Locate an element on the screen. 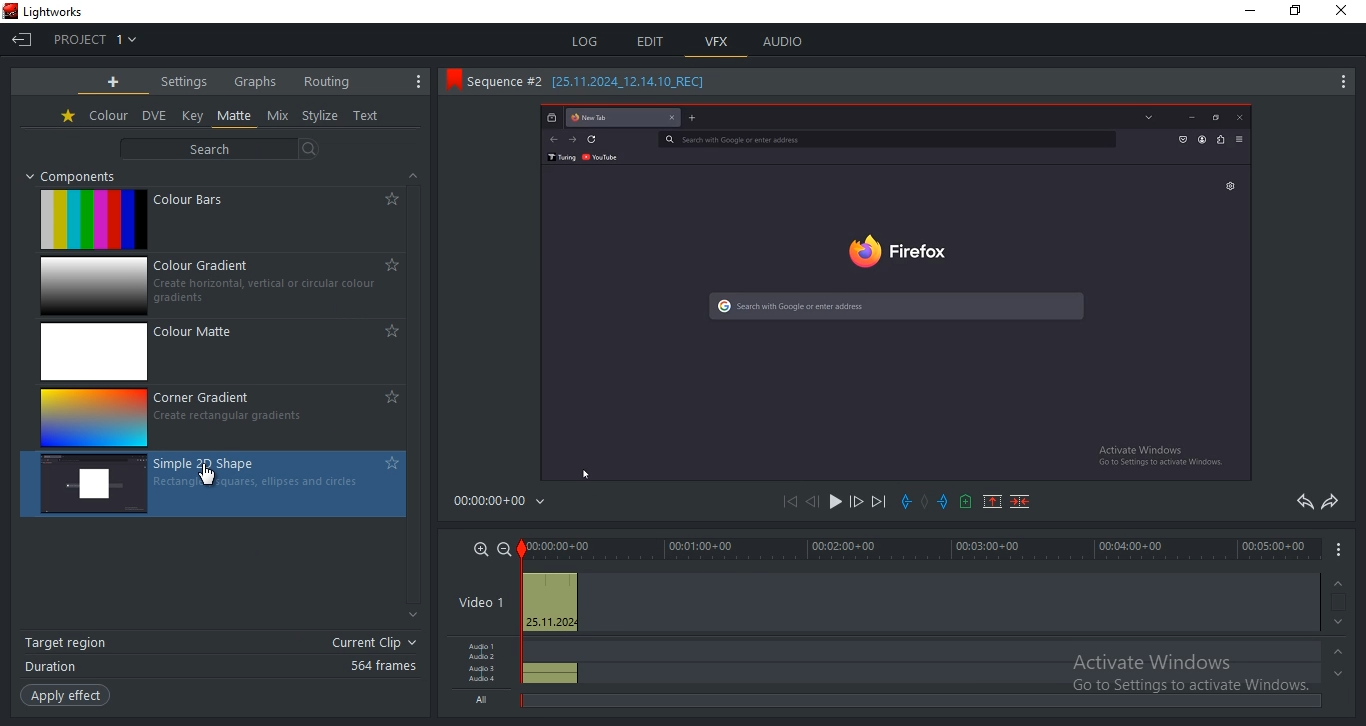  add an in mark  is located at coordinates (943, 500).